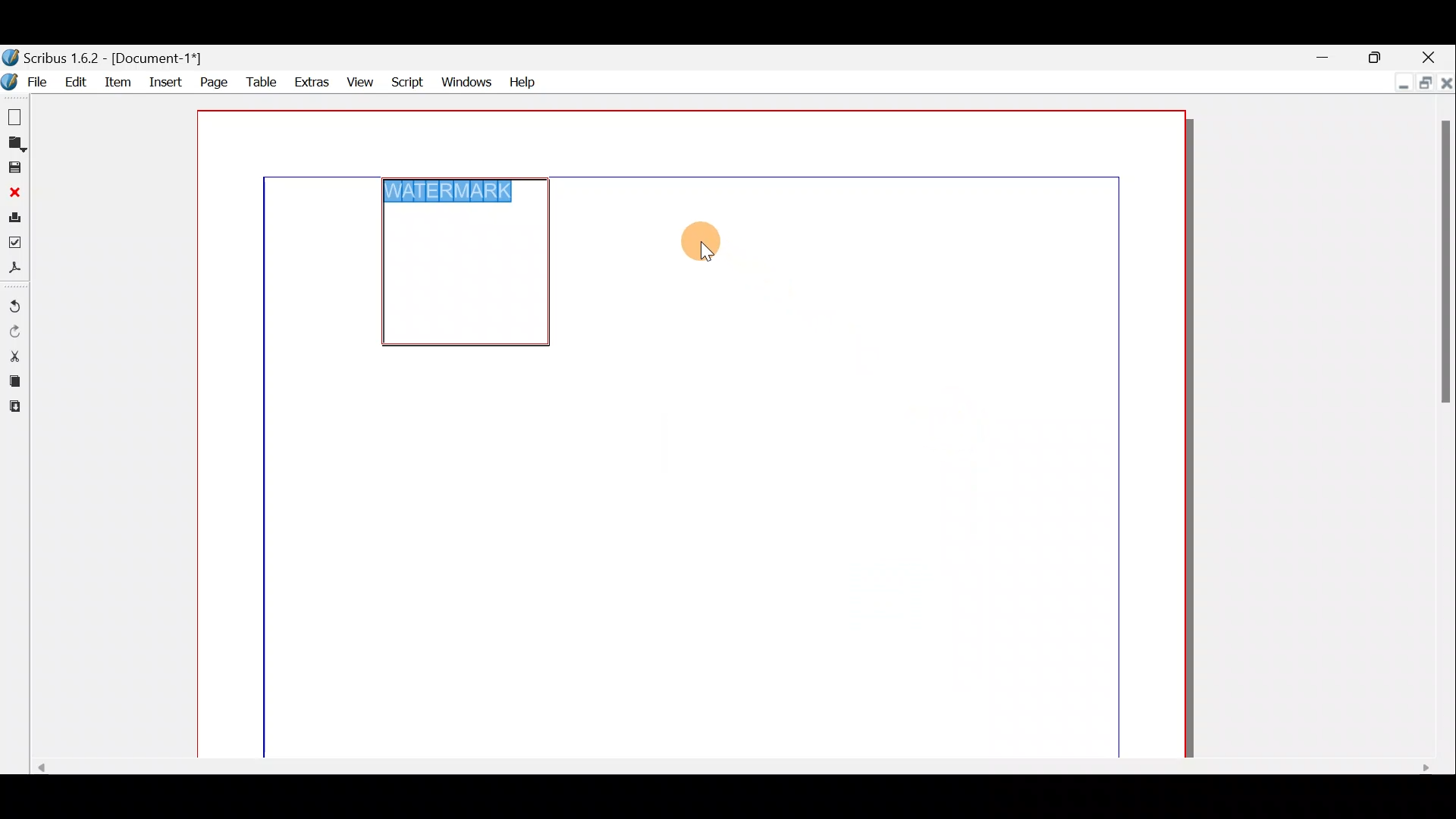 The width and height of the screenshot is (1456, 819). I want to click on Cursor, so click(714, 245).